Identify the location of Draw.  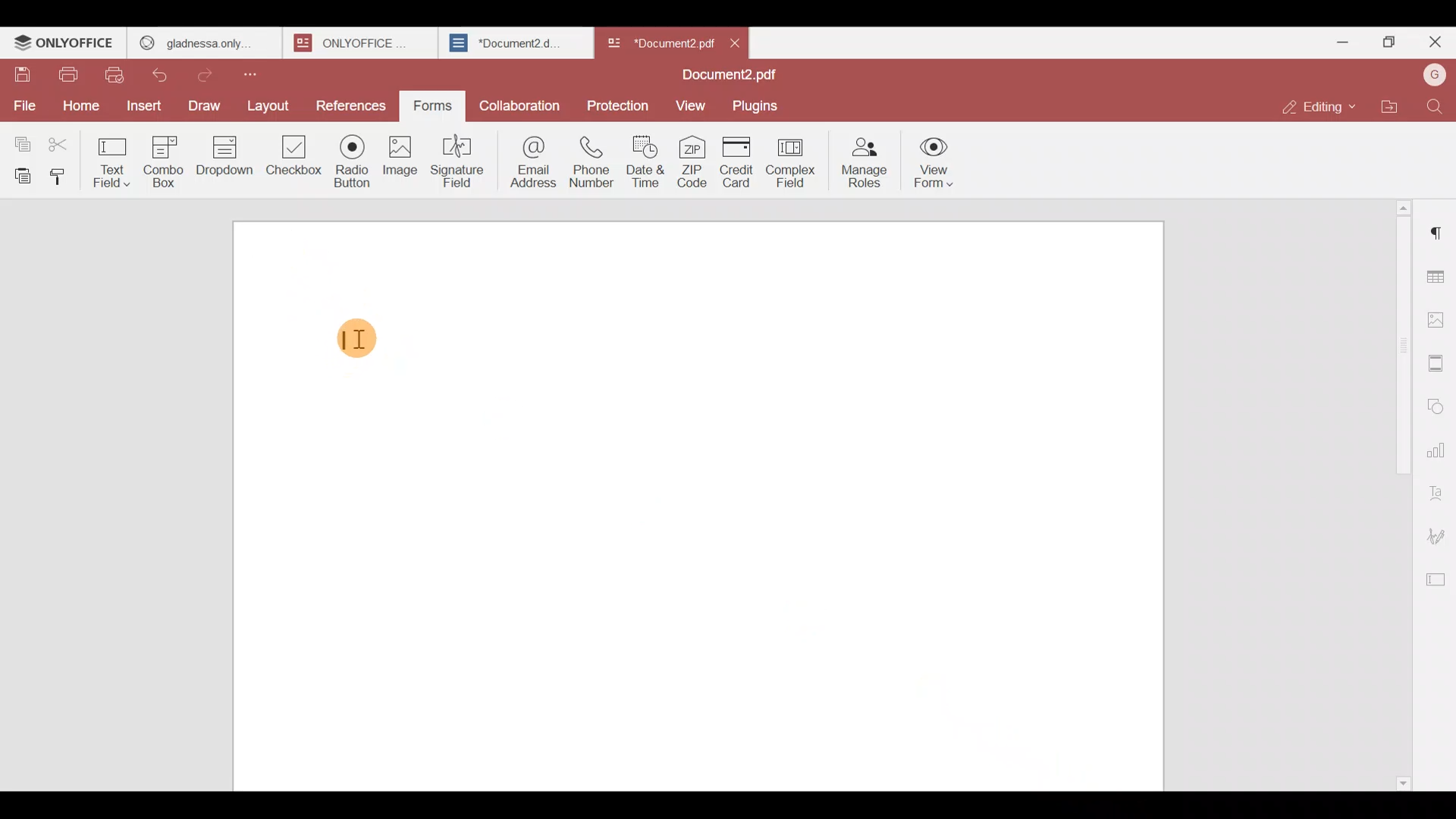
(204, 105).